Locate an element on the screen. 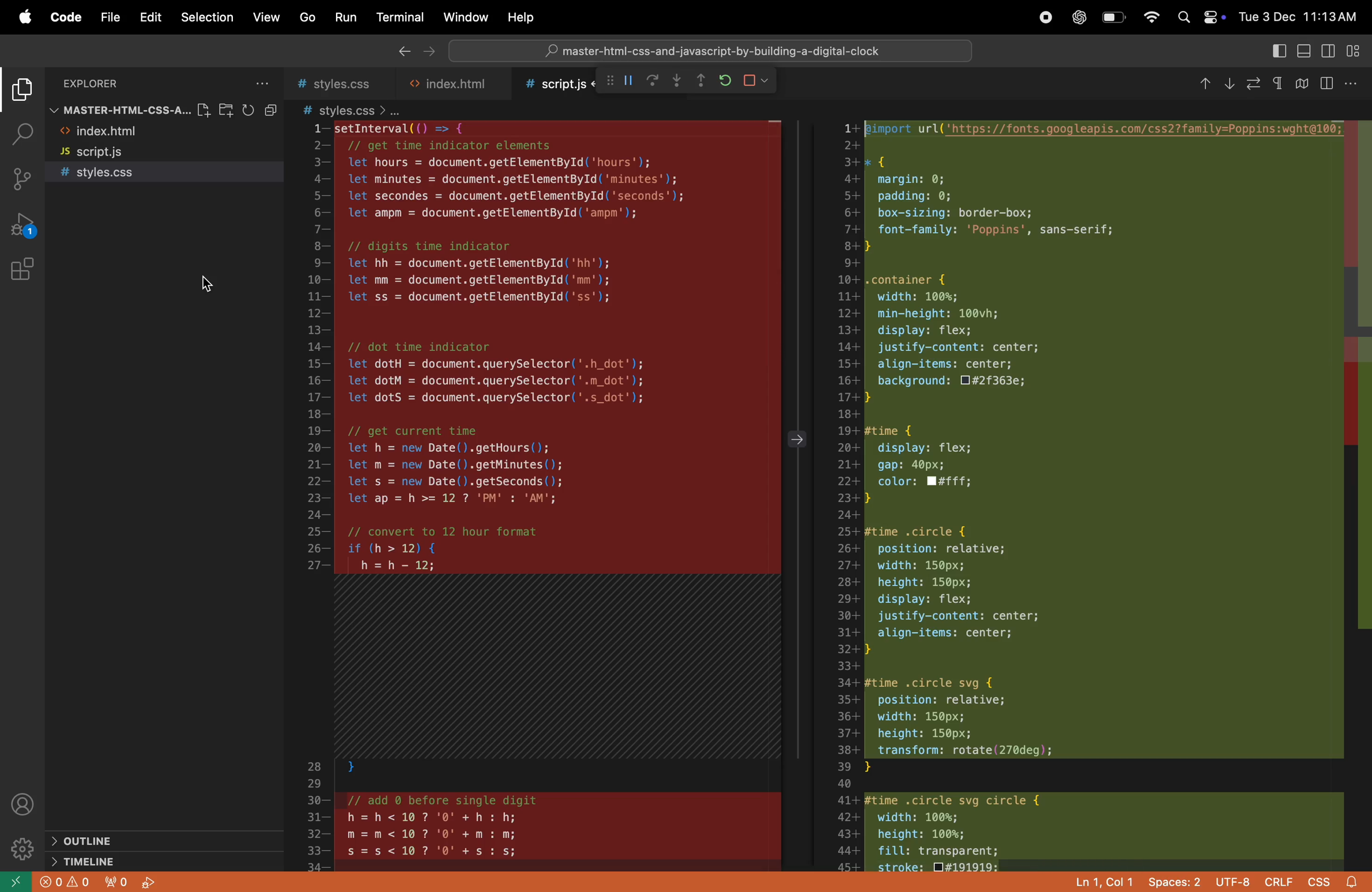 This screenshot has height=892, width=1372. Show leading/Trailing whitespace differences is located at coordinates (1278, 84).